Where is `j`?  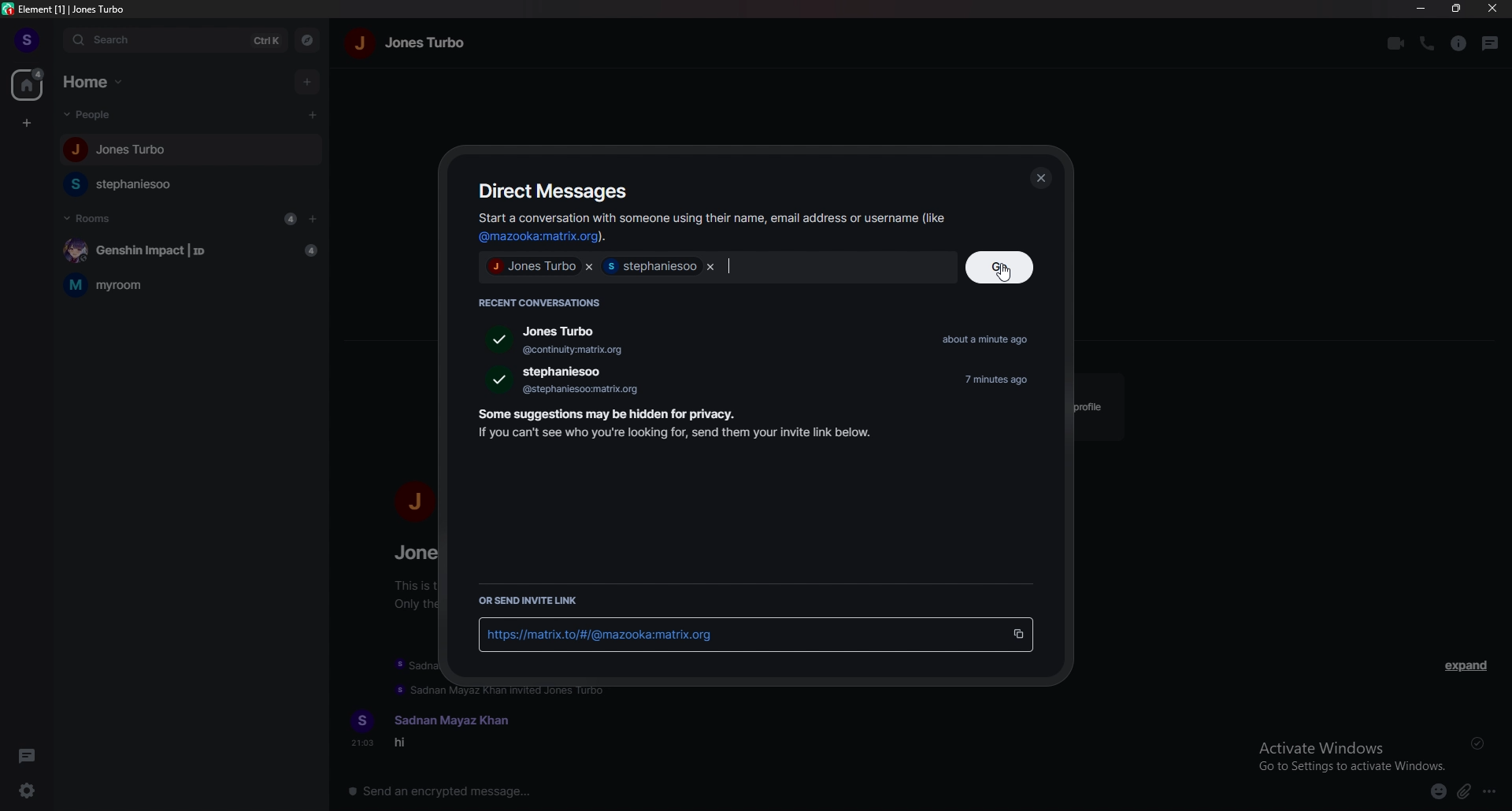
j is located at coordinates (414, 502).